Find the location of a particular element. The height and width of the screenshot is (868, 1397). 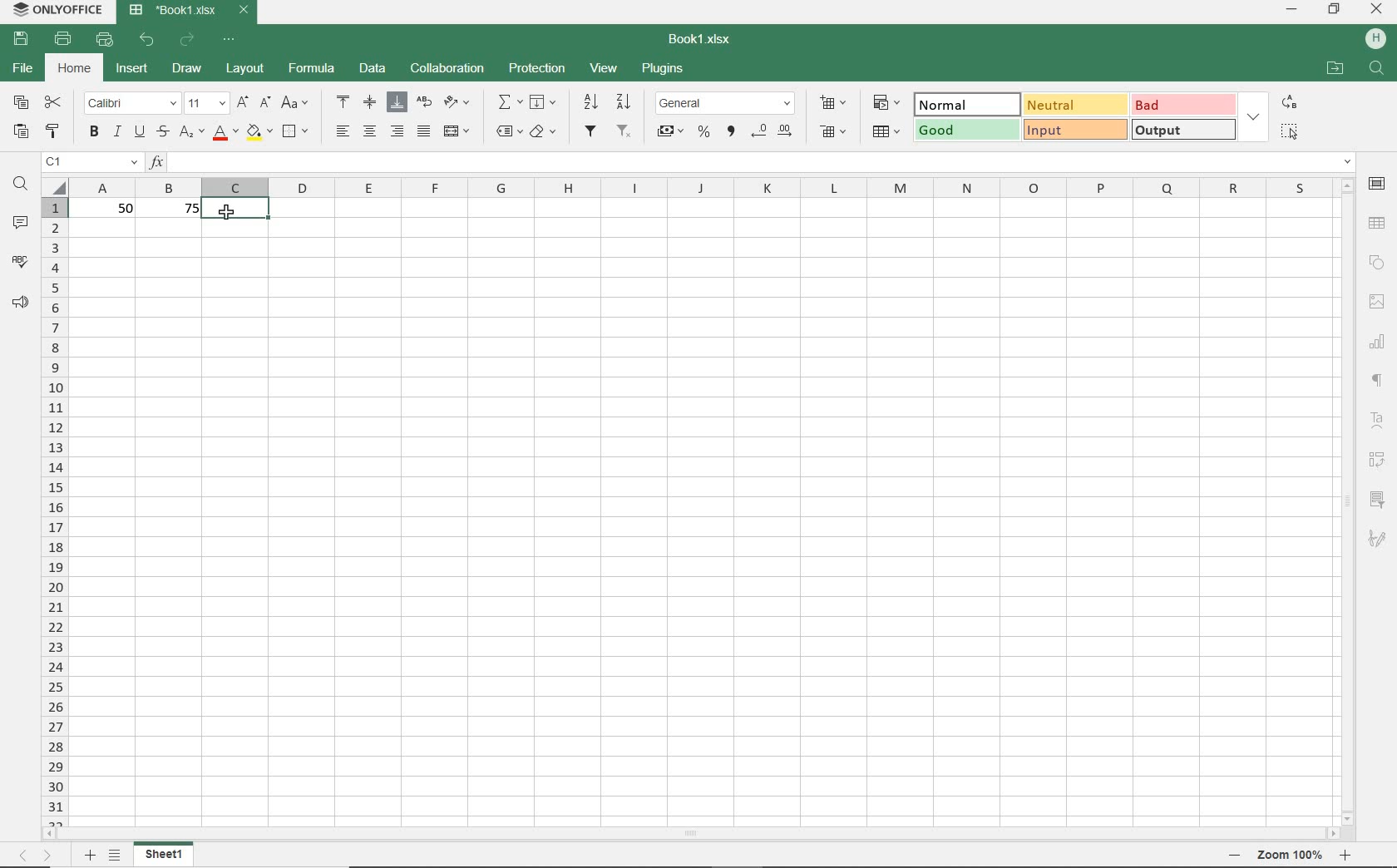

paste is located at coordinates (20, 131).